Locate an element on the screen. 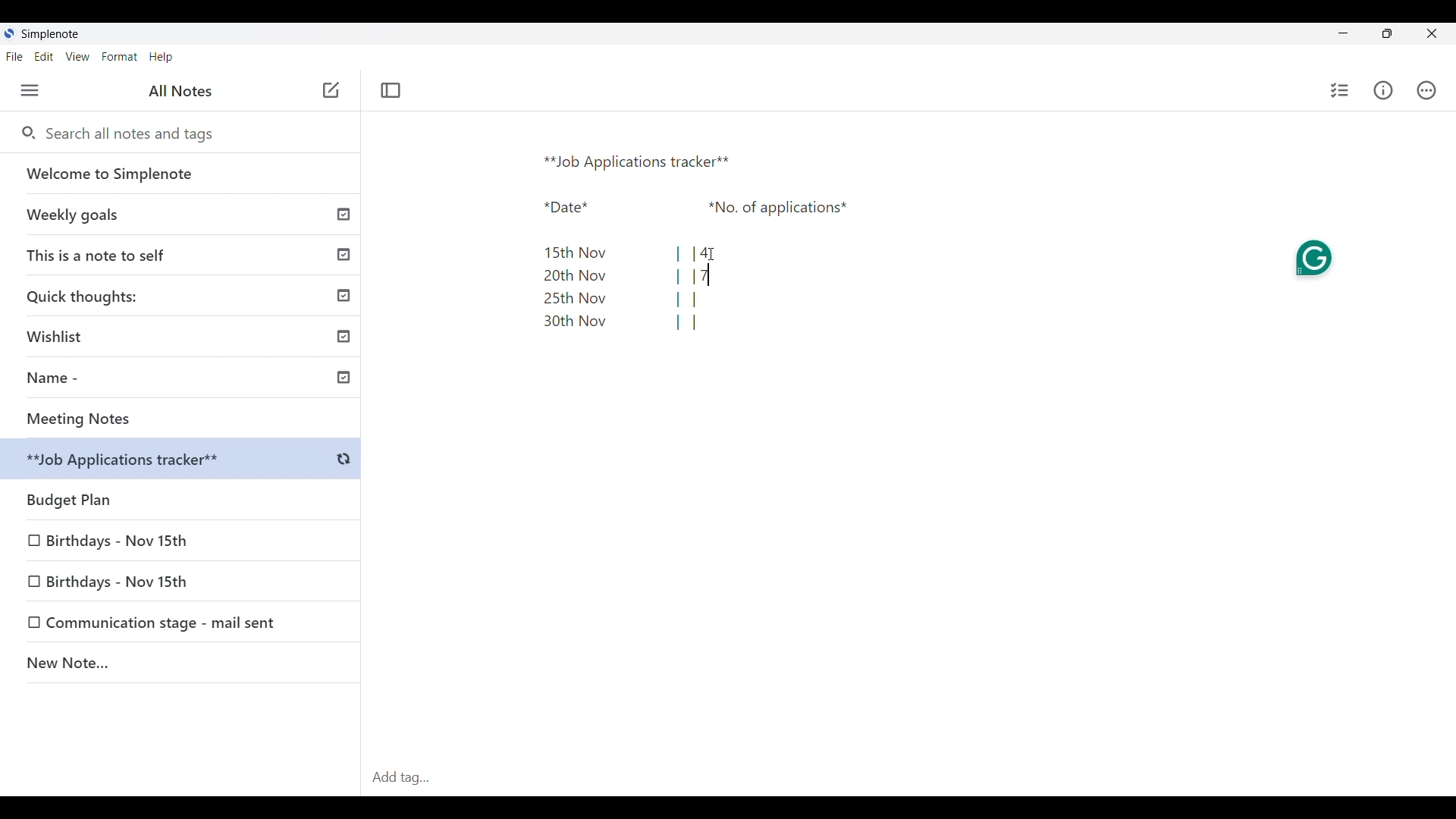 This screenshot has width=1456, height=819. Name  is located at coordinates (187, 380).